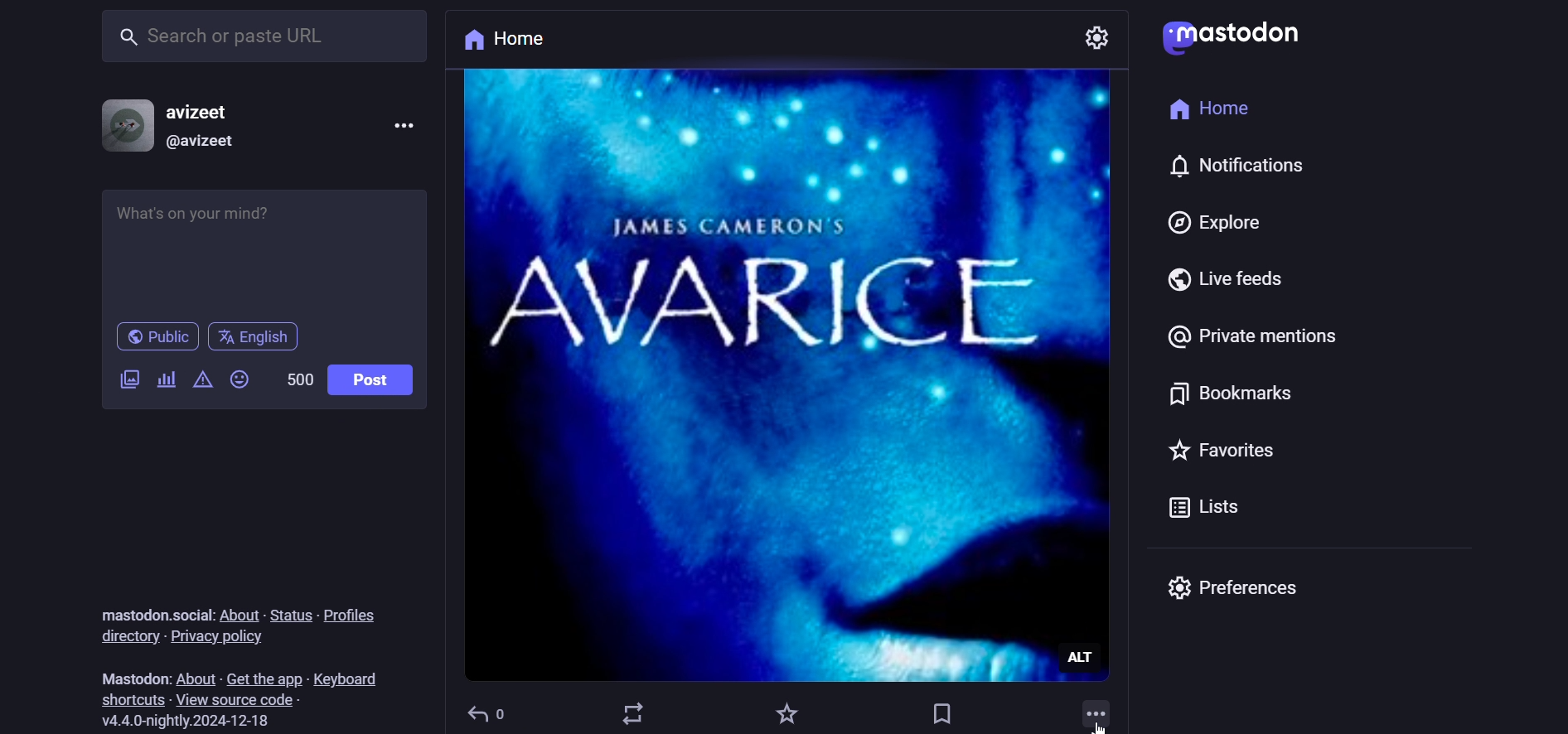 The width and height of the screenshot is (1568, 734). What do you see at coordinates (346, 678) in the screenshot?
I see `keyboard` at bounding box center [346, 678].